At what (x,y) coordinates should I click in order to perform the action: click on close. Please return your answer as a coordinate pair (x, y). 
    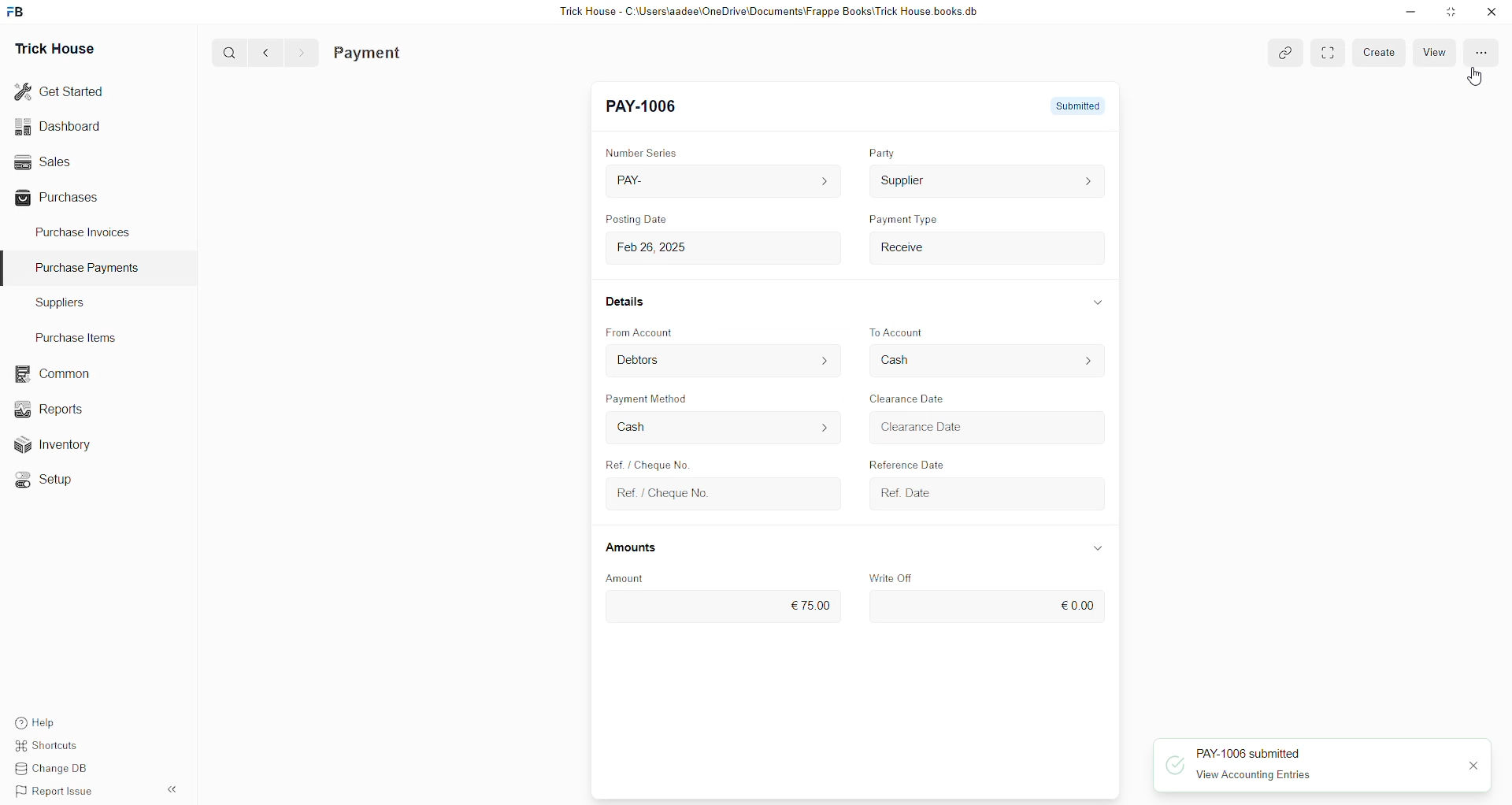
    Looking at the image, I should click on (1466, 764).